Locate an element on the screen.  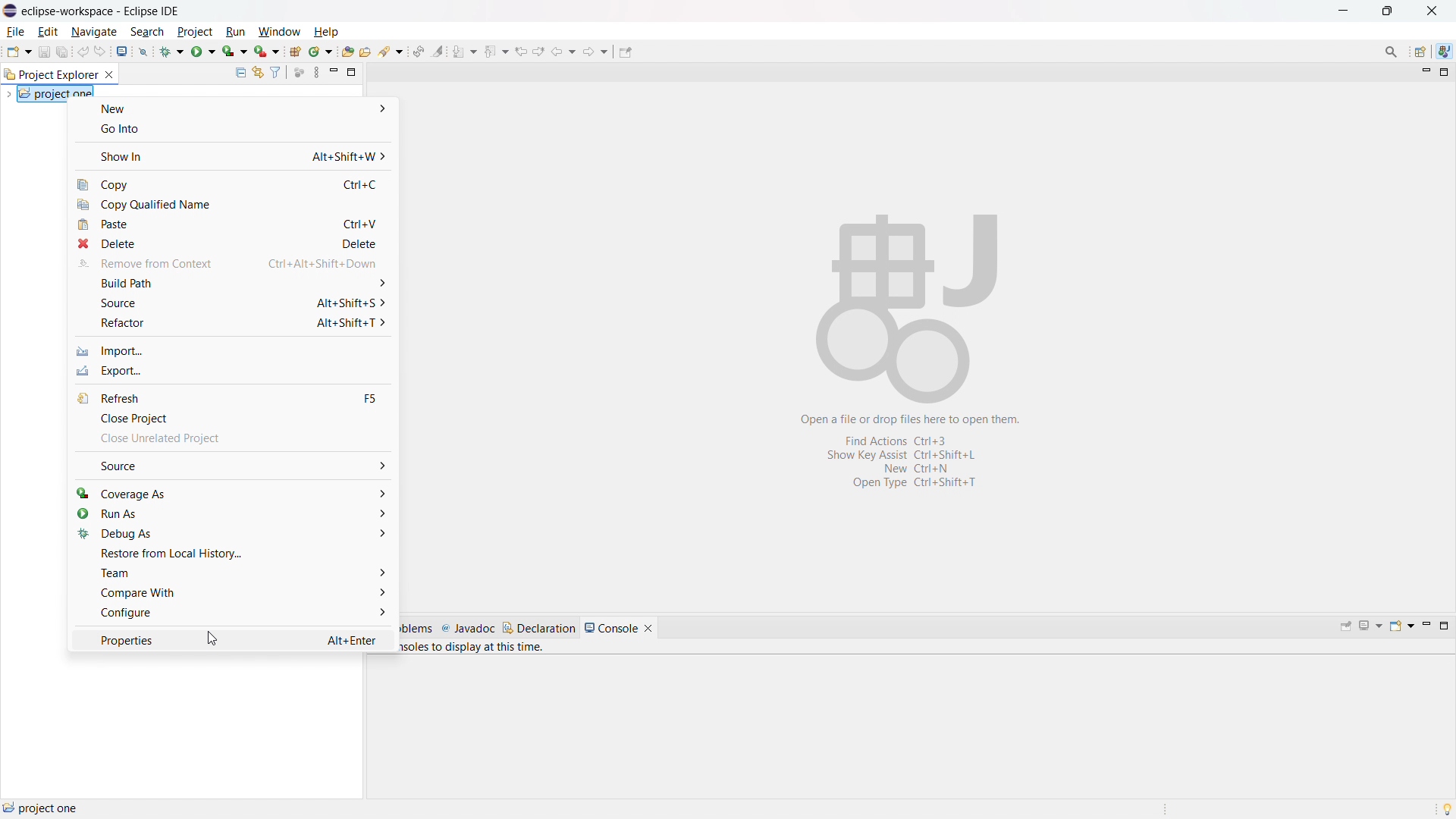
collapse all is located at coordinates (240, 72).